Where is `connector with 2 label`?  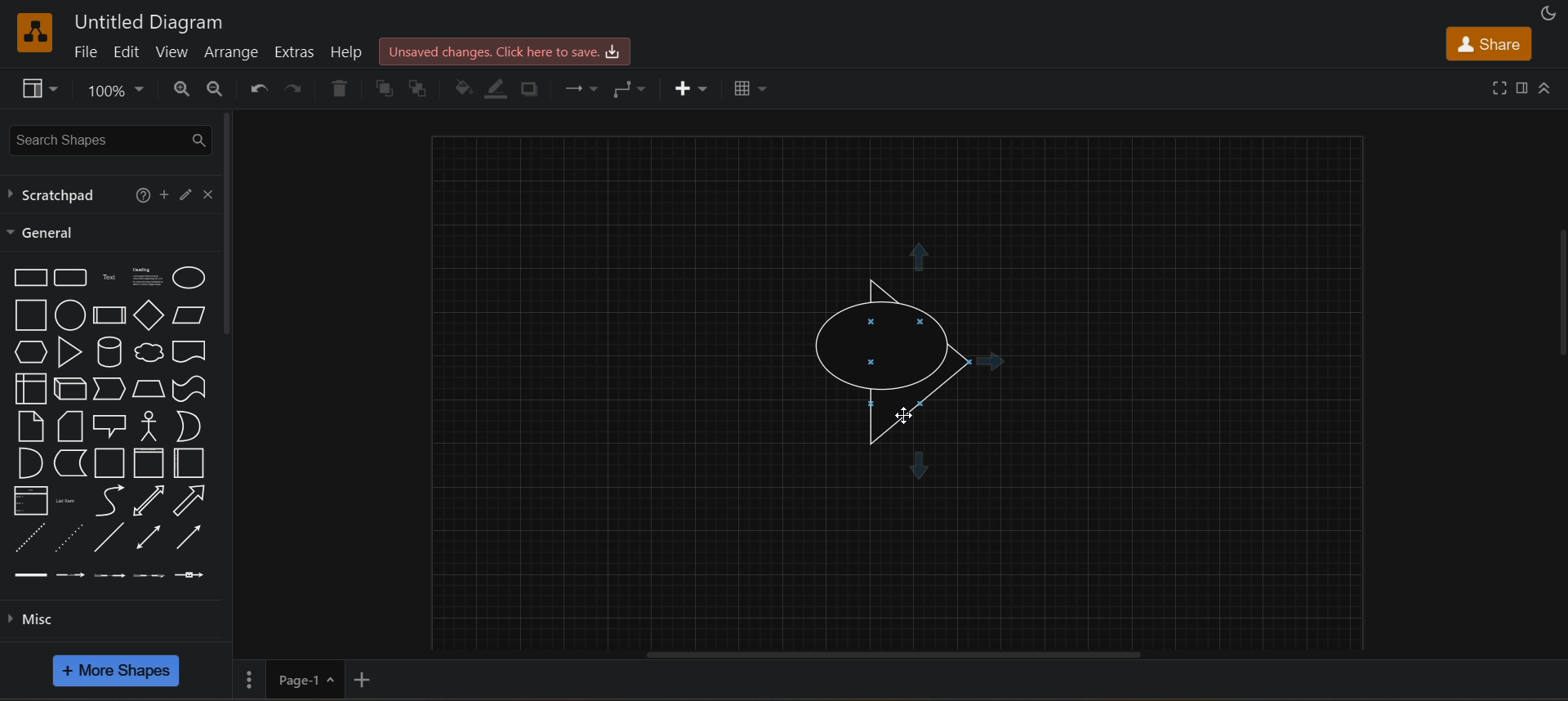
connector with 2 label is located at coordinates (110, 576).